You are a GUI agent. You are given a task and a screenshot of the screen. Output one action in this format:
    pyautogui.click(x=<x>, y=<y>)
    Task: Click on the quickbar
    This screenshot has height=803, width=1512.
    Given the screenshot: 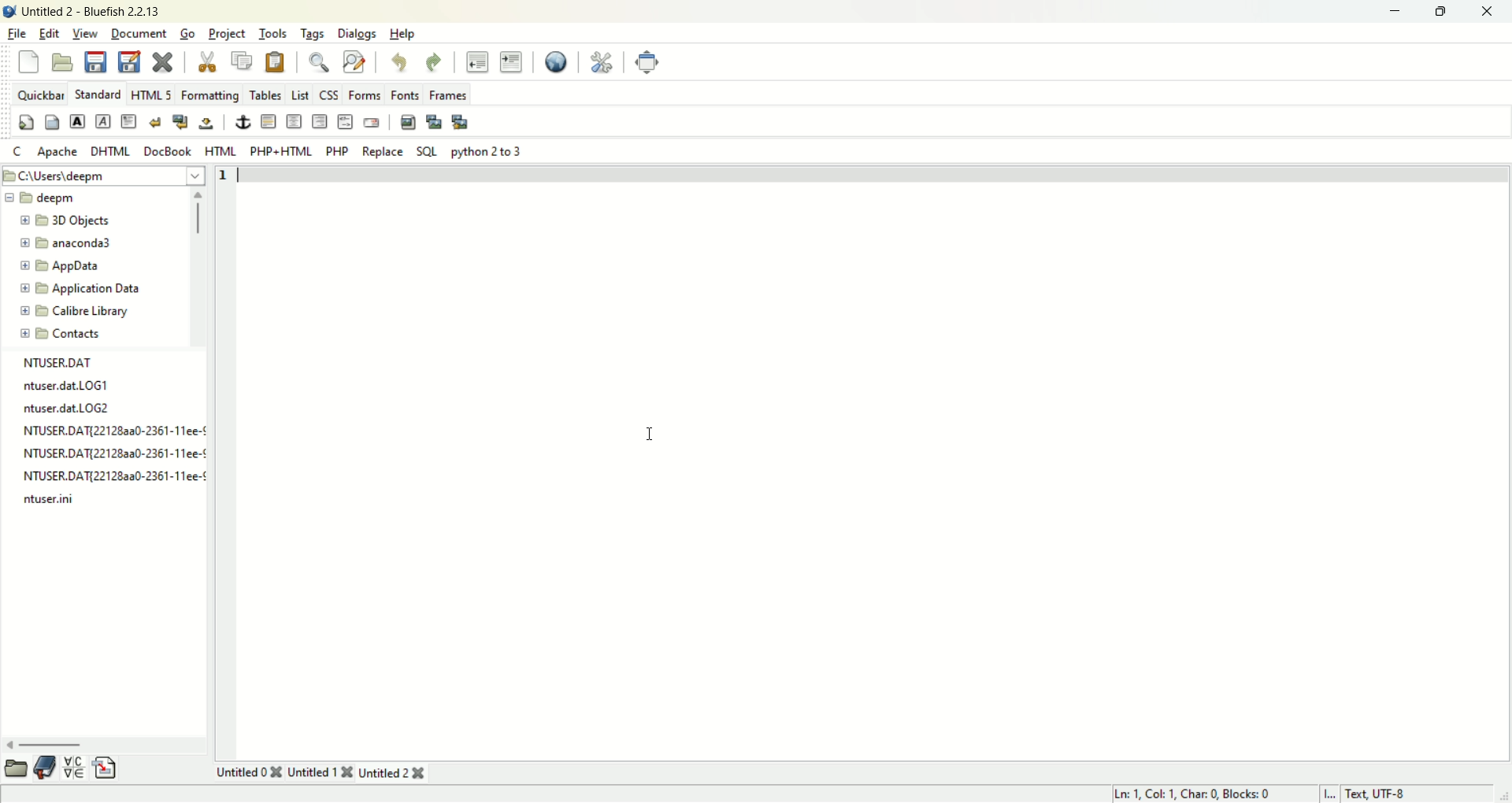 What is the action you would take?
    pyautogui.click(x=39, y=94)
    